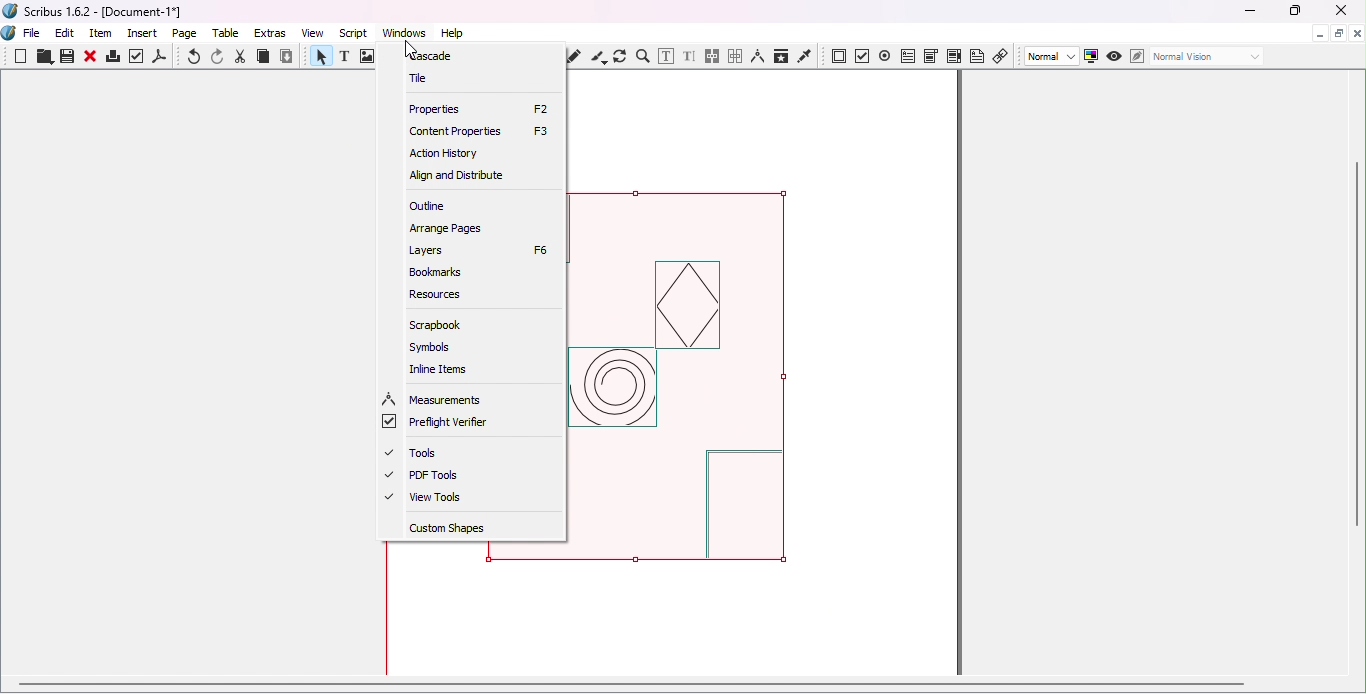  What do you see at coordinates (439, 272) in the screenshot?
I see `Bookmarks` at bounding box center [439, 272].